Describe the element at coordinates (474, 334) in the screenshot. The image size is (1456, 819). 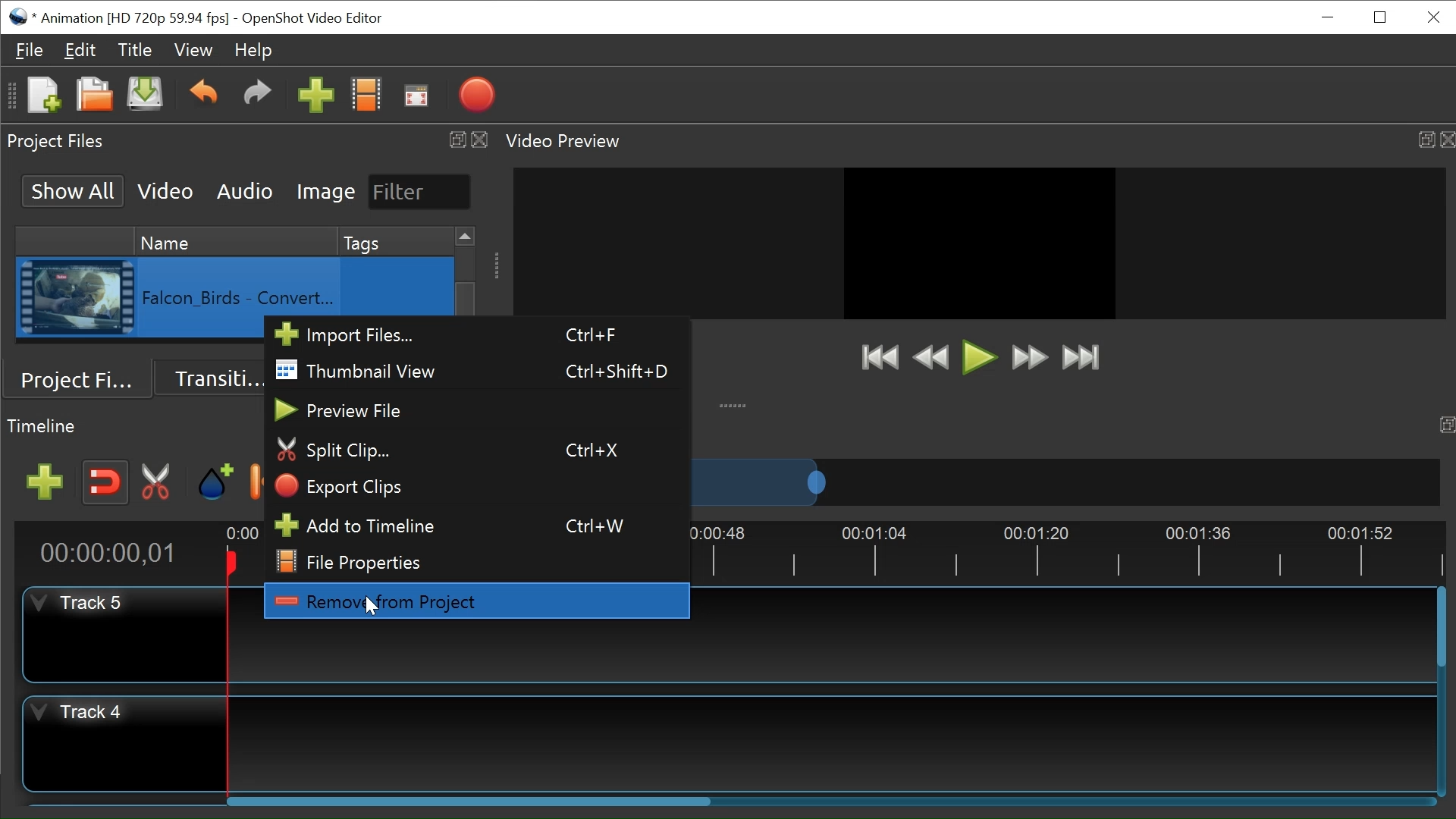
I see `Import Files` at that location.